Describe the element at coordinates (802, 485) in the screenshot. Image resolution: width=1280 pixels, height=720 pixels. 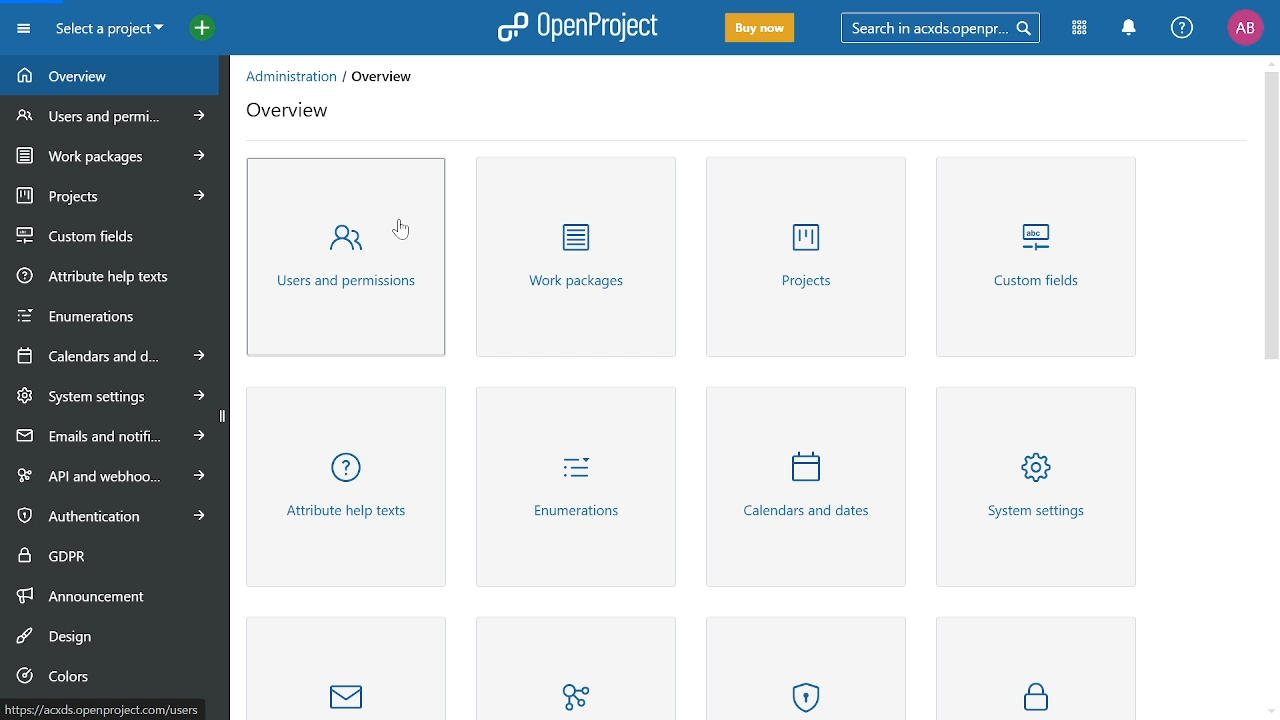
I see `Calenders and dates` at that location.